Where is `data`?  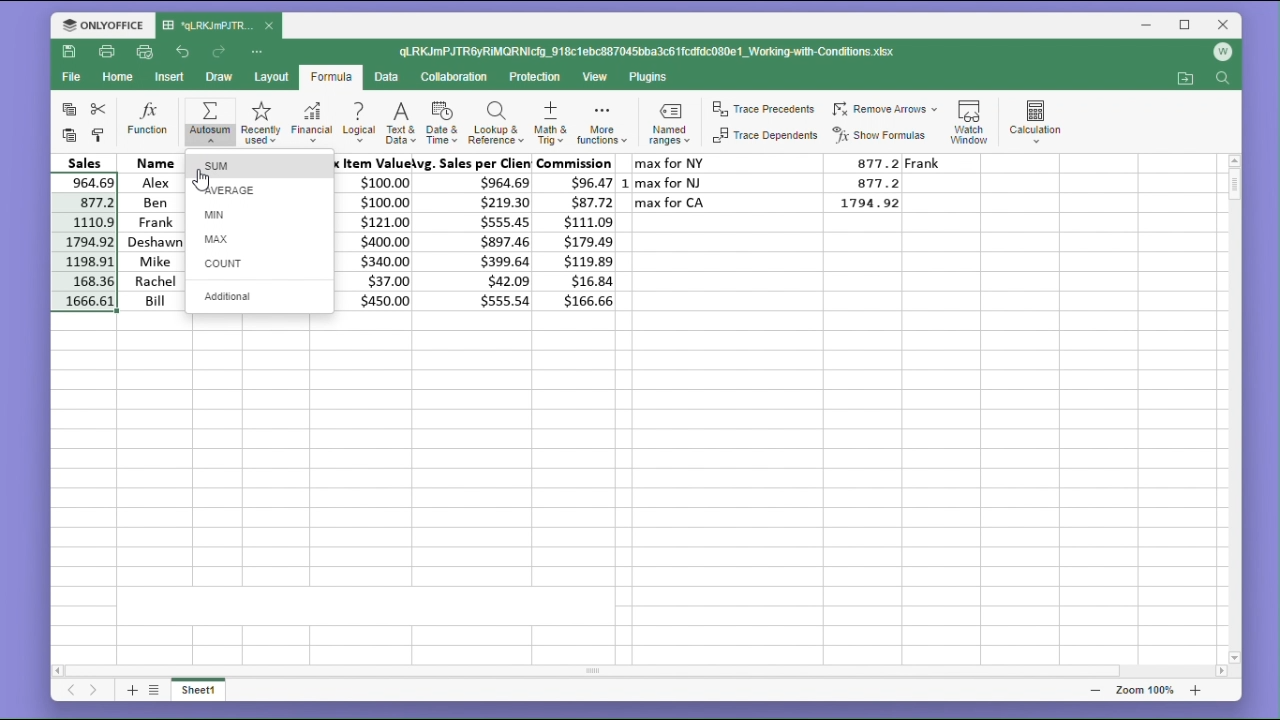 data is located at coordinates (390, 77).